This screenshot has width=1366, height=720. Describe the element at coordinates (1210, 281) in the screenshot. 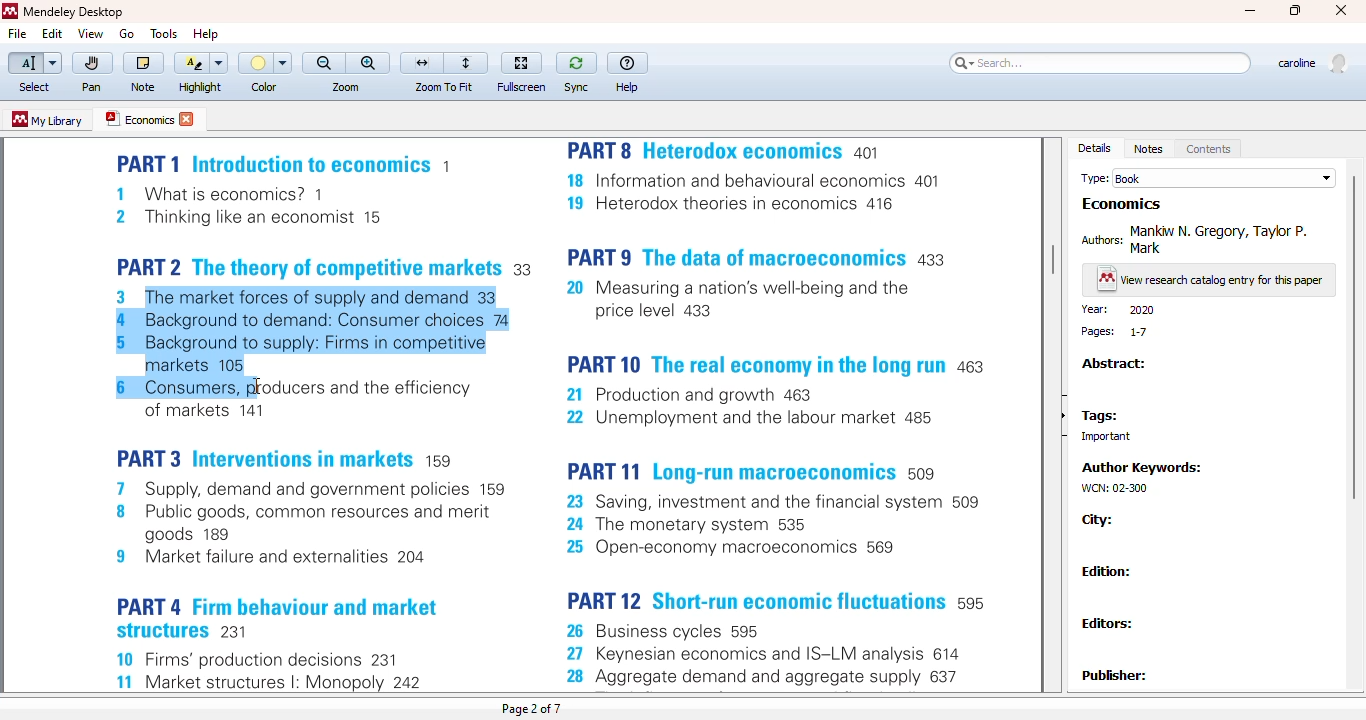

I see `view research catalog entry for this paper` at that location.